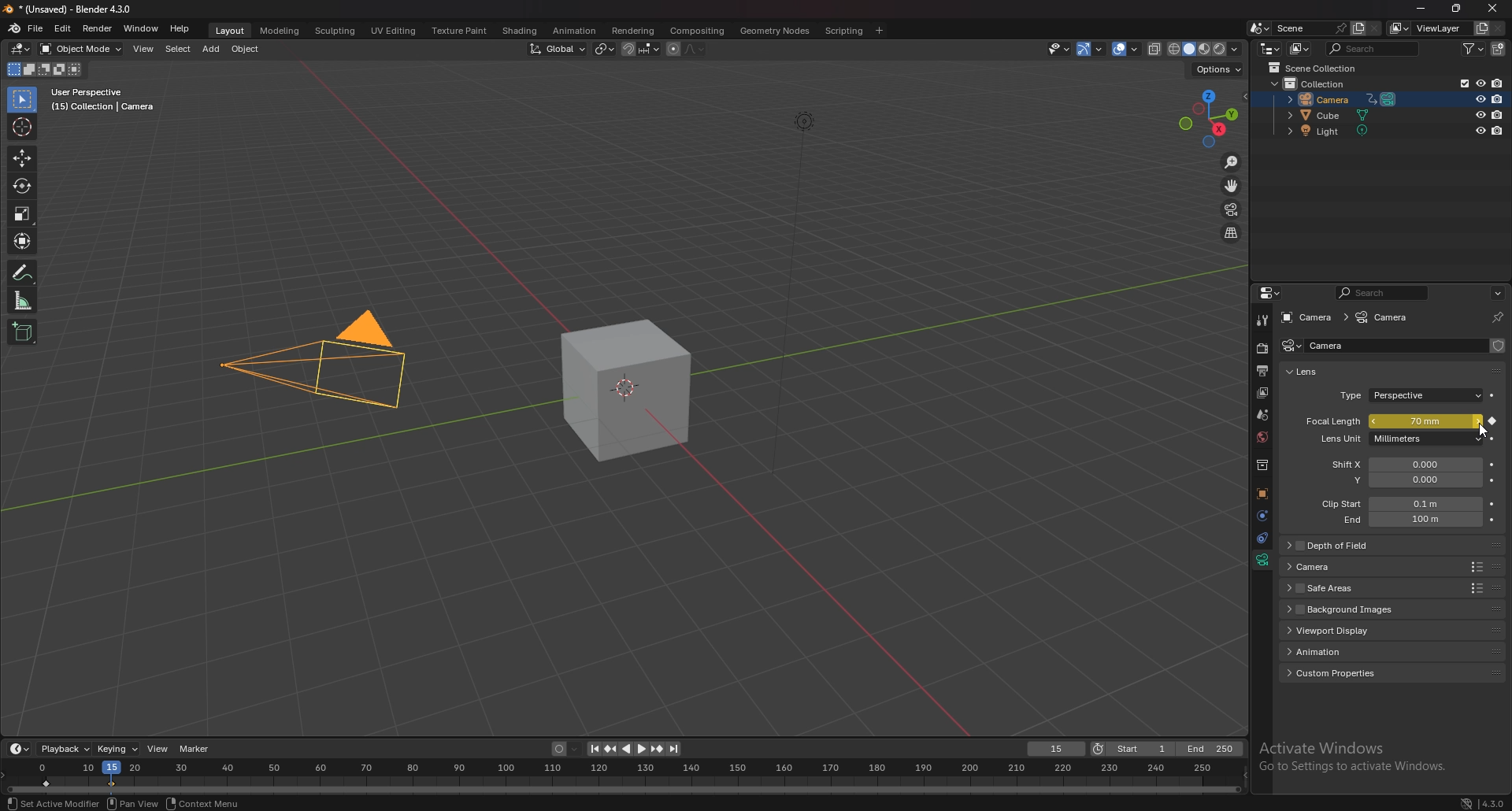 This screenshot has height=811, width=1512. What do you see at coordinates (1352, 546) in the screenshot?
I see `depth of field` at bounding box center [1352, 546].